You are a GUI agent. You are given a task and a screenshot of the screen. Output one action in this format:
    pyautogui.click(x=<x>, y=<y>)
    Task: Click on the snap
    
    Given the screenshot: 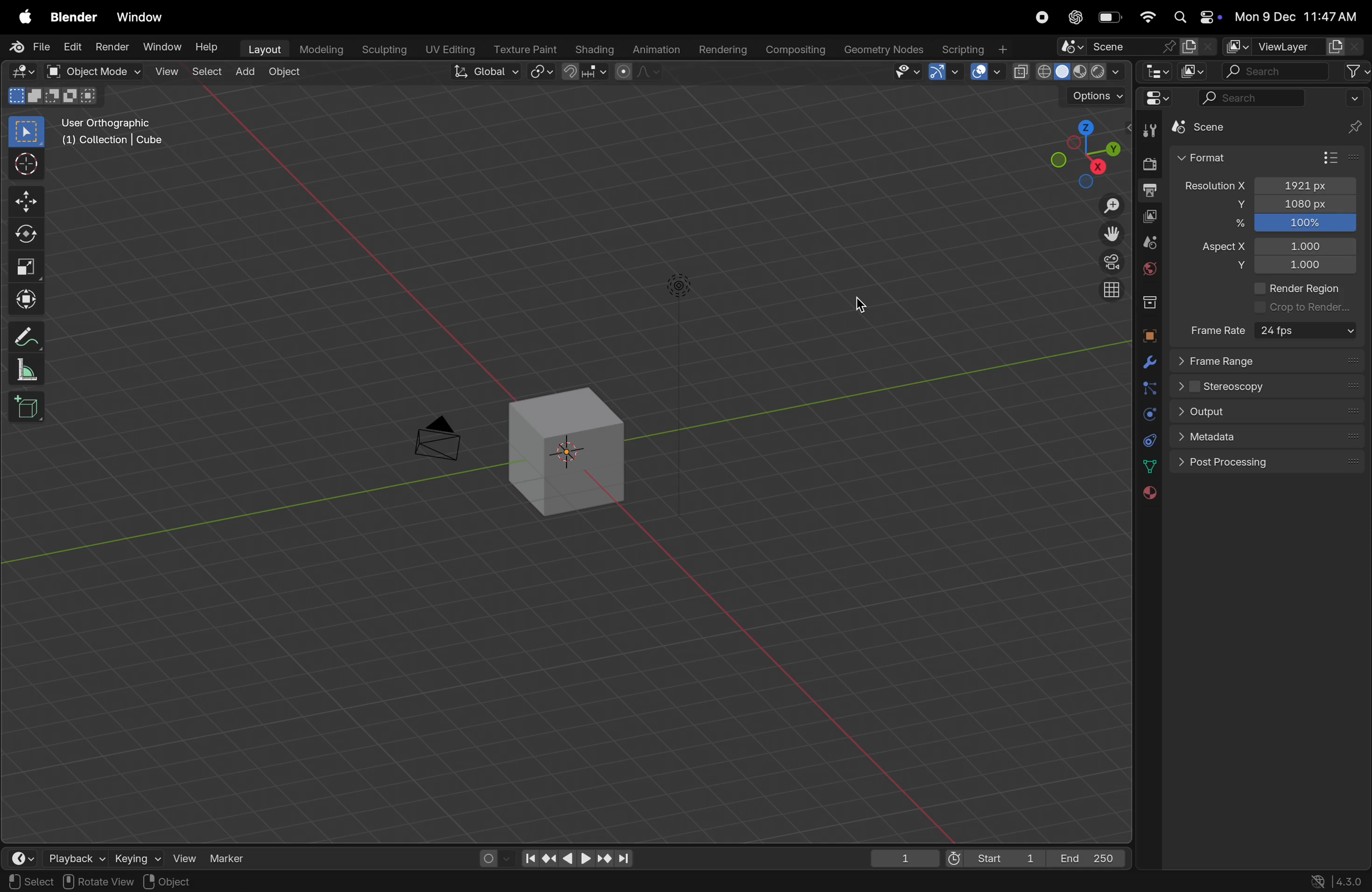 What is the action you would take?
    pyautogui.click(x=584, y=73)
    